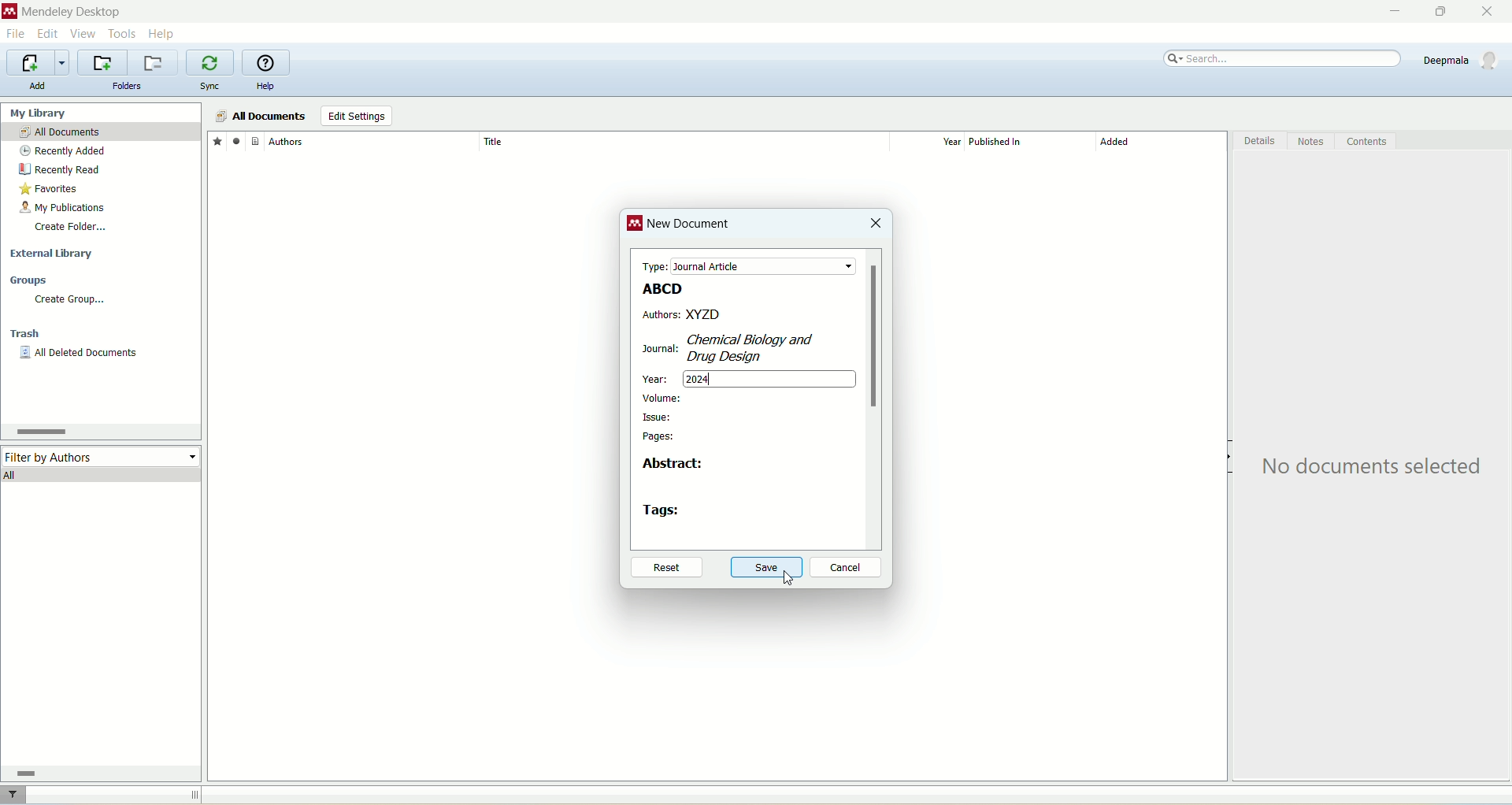  Describe the element at coordinates (663, 510) in the screenshot. I see `tags` at that location.